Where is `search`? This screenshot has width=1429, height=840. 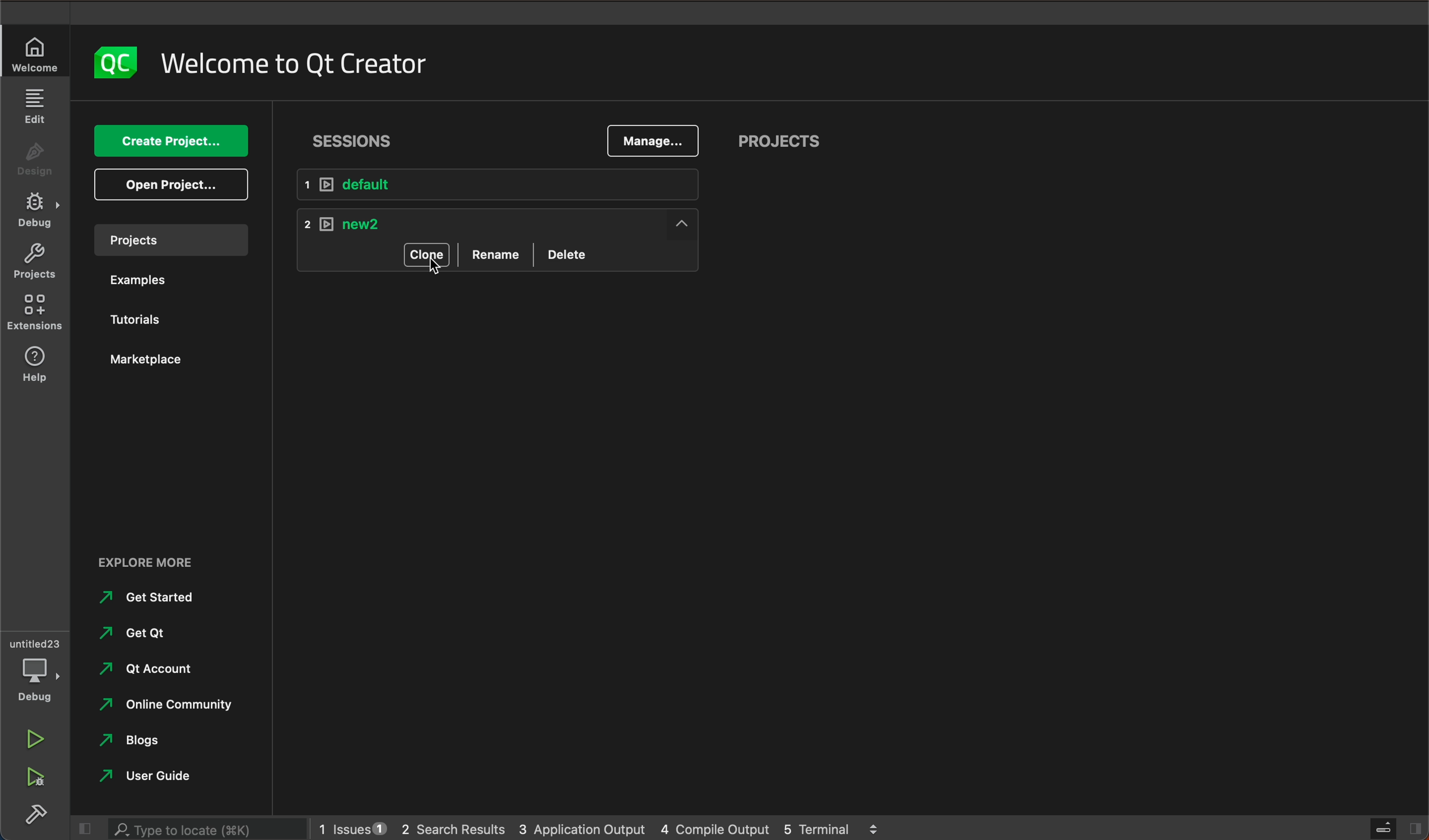 search is located at coordinates (200, 828).